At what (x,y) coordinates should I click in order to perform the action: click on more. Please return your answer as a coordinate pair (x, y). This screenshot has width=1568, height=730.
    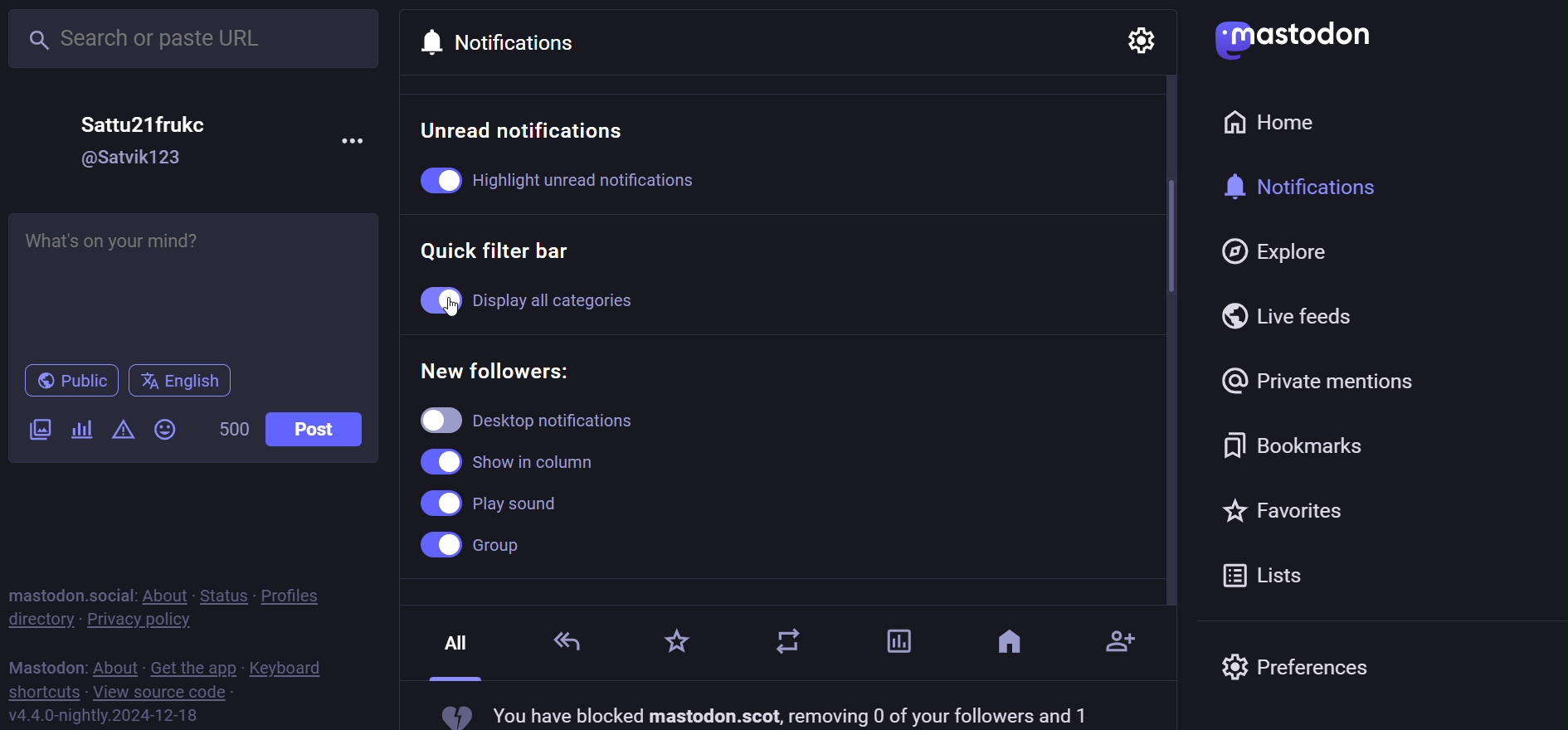
    Looking at the image, I should click on (356, 139).